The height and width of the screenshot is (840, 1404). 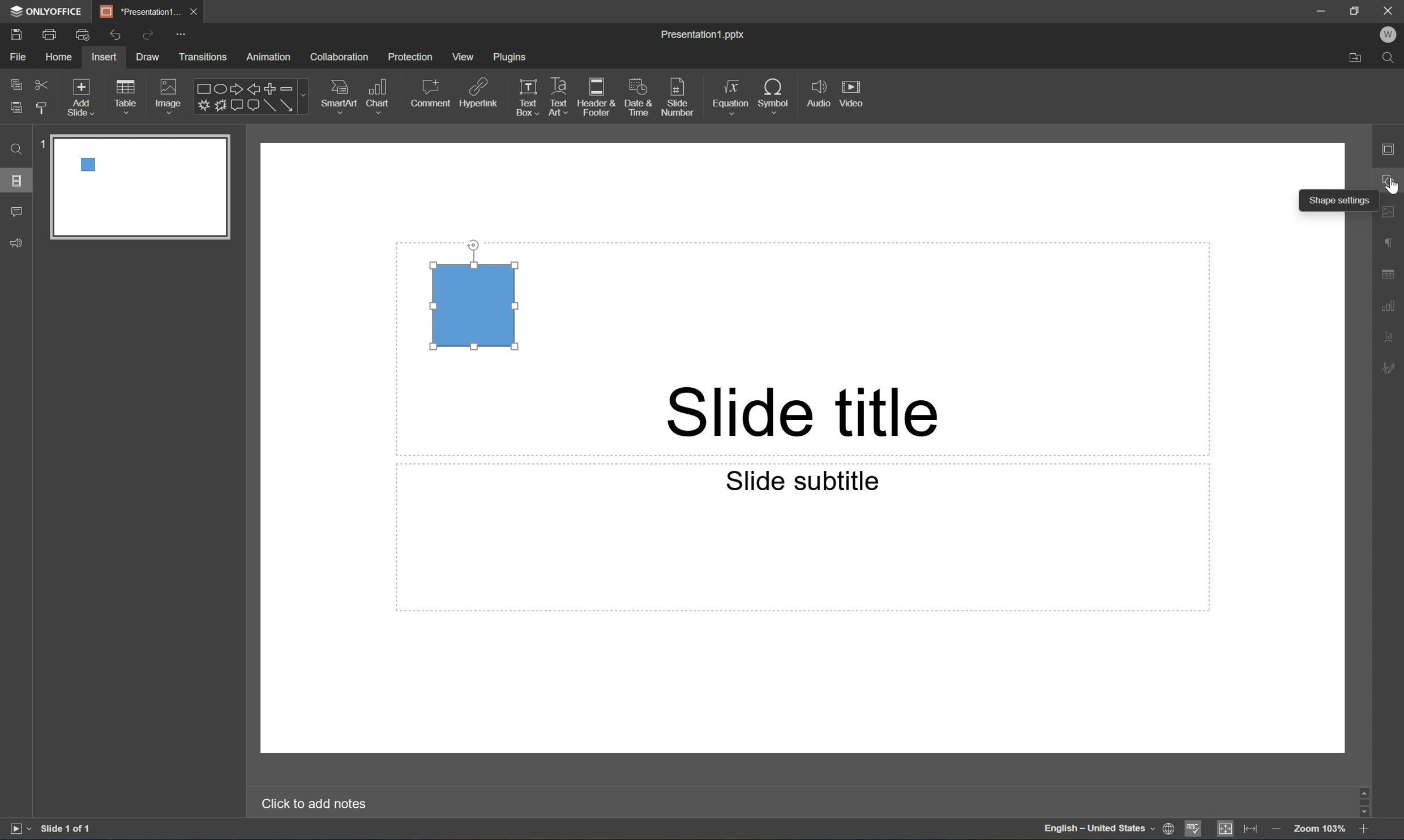 I want to click on Zoom in, so click(x=1367, y=829).